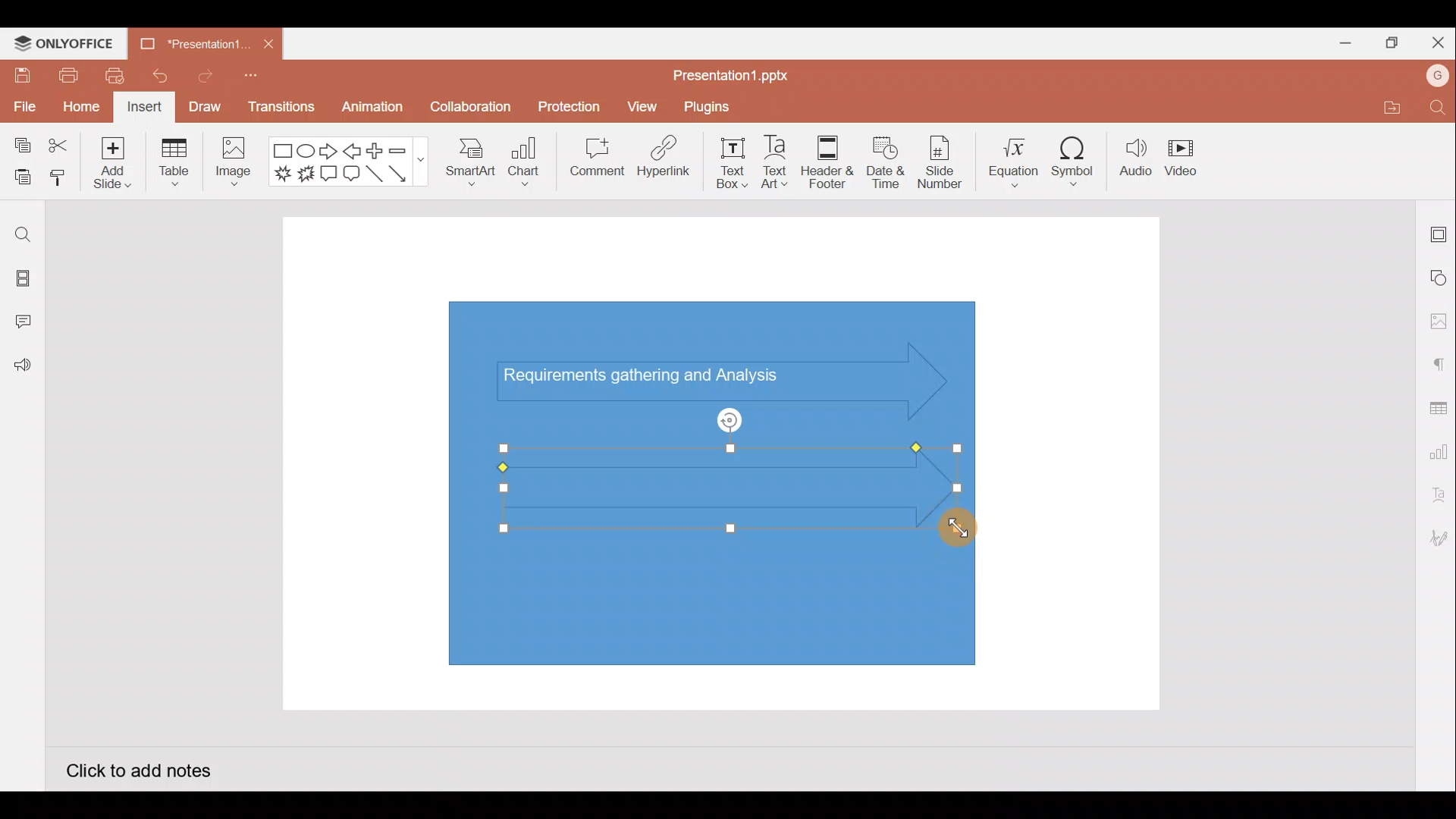  Describe the element at coordinates (406, 149) in the screenshot. I see `Minus` at that location.